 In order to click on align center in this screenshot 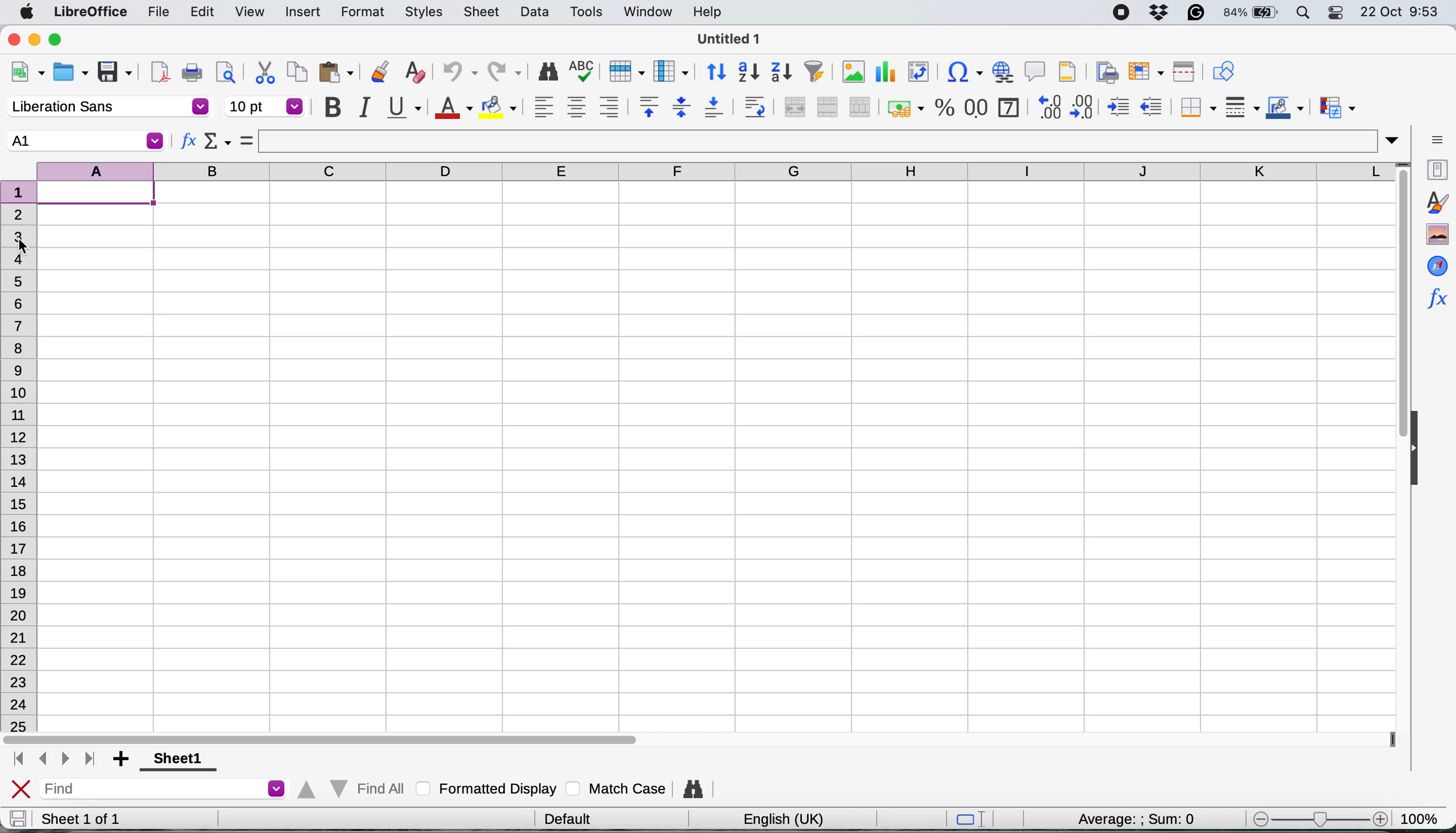, I will do `click(576, 108)`.